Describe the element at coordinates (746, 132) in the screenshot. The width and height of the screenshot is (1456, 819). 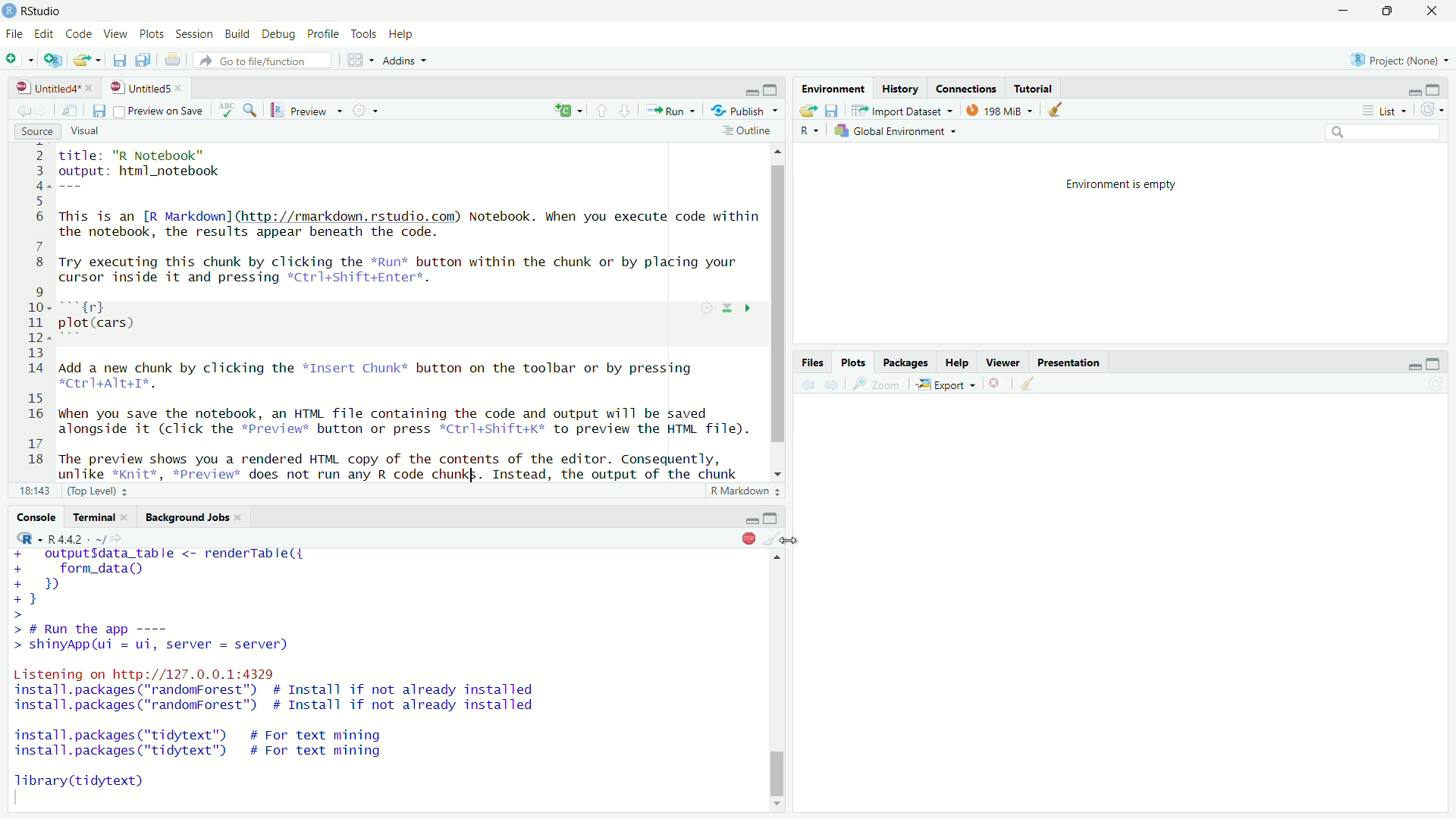
I see `Outline` at that location.